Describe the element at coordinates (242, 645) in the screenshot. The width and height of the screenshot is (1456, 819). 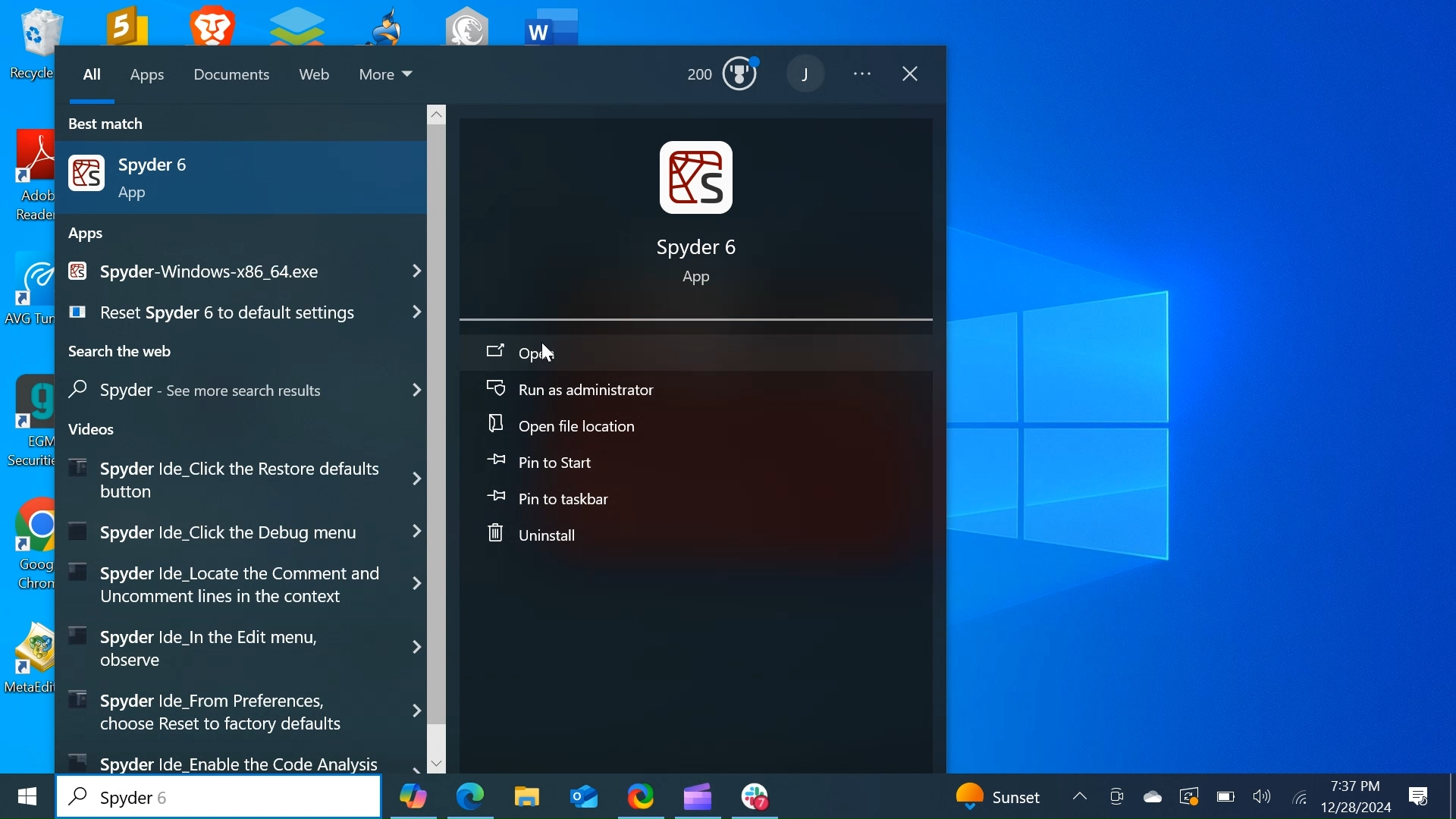
I see `Video` at that location.